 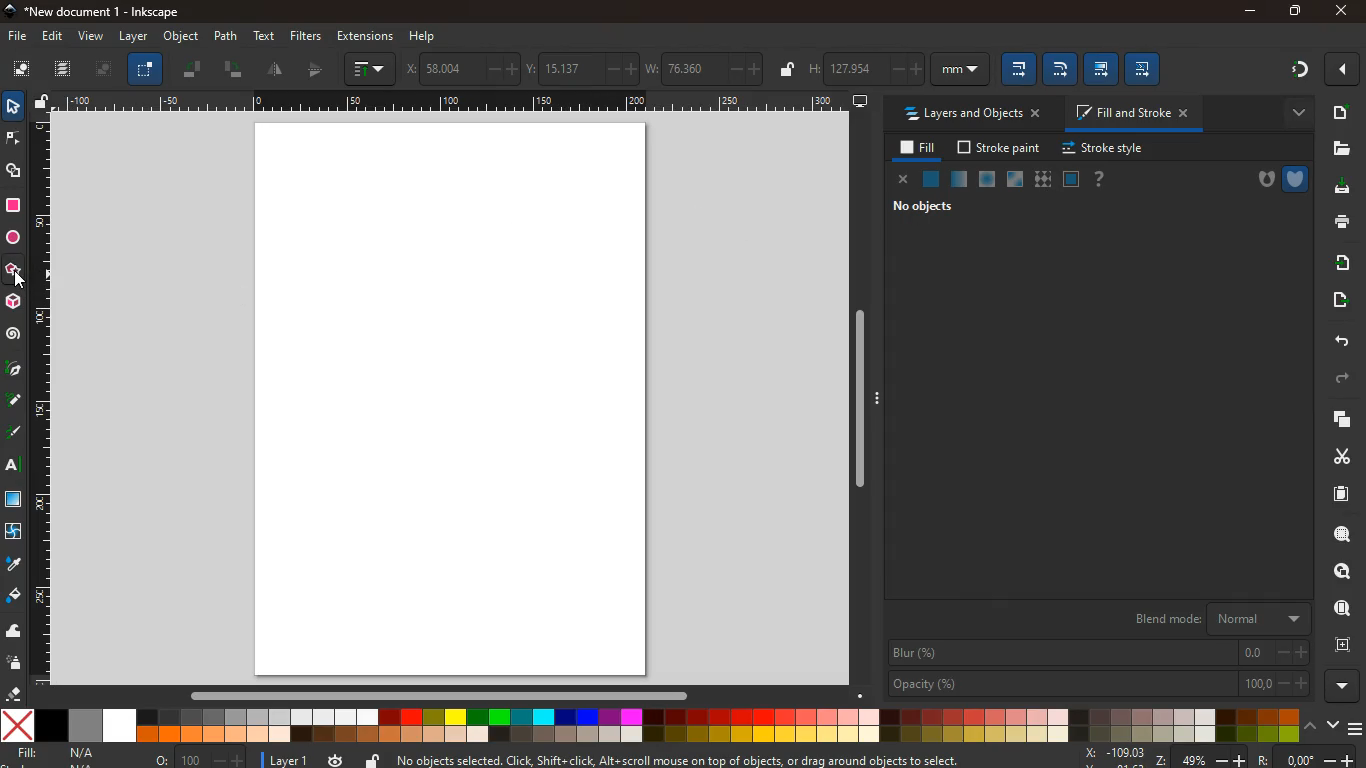 What do you see at coordinates (13, 501) in the screenshot?
I see `square` at bounding box center [13, 501].